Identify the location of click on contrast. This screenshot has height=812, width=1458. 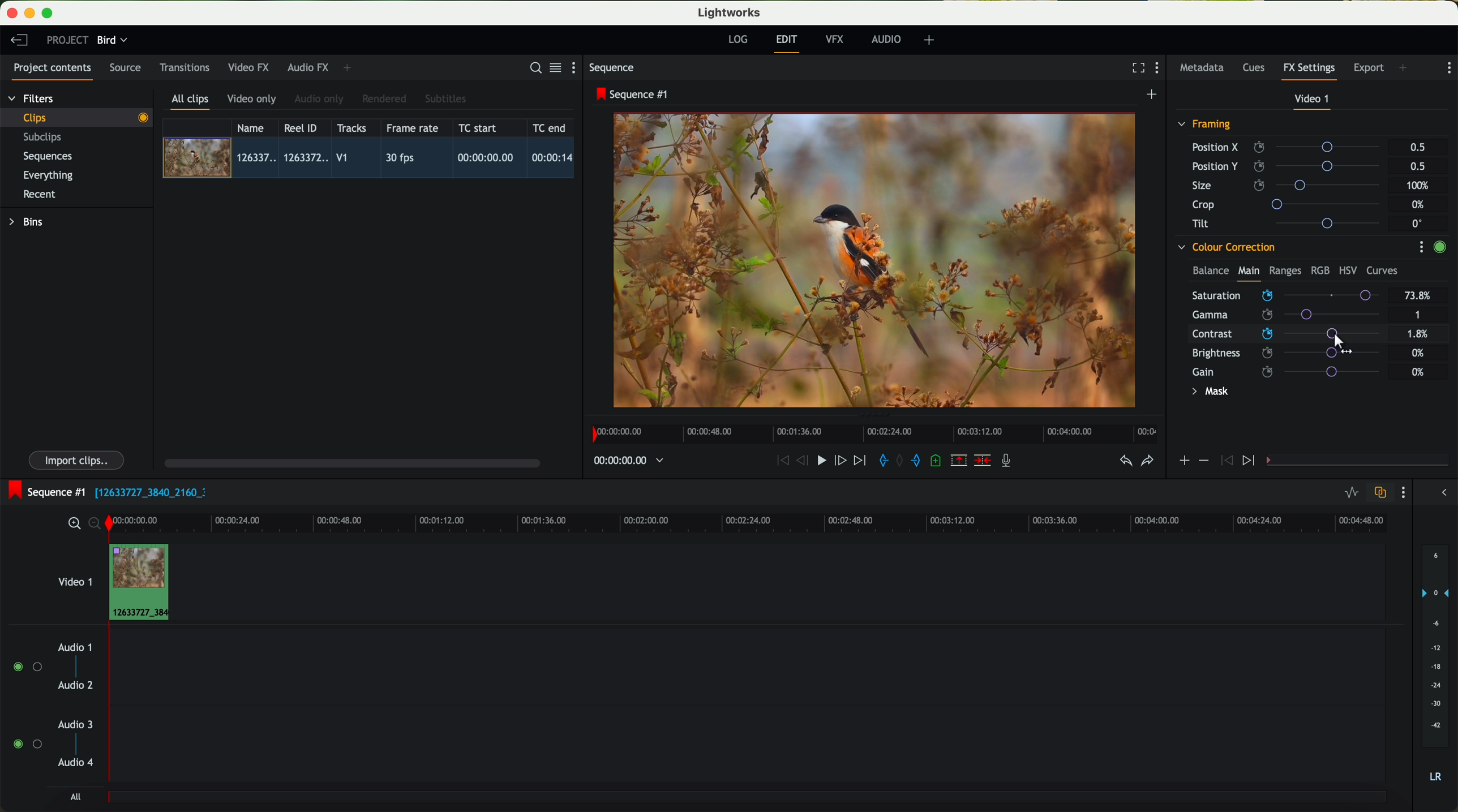
(1286, 335).